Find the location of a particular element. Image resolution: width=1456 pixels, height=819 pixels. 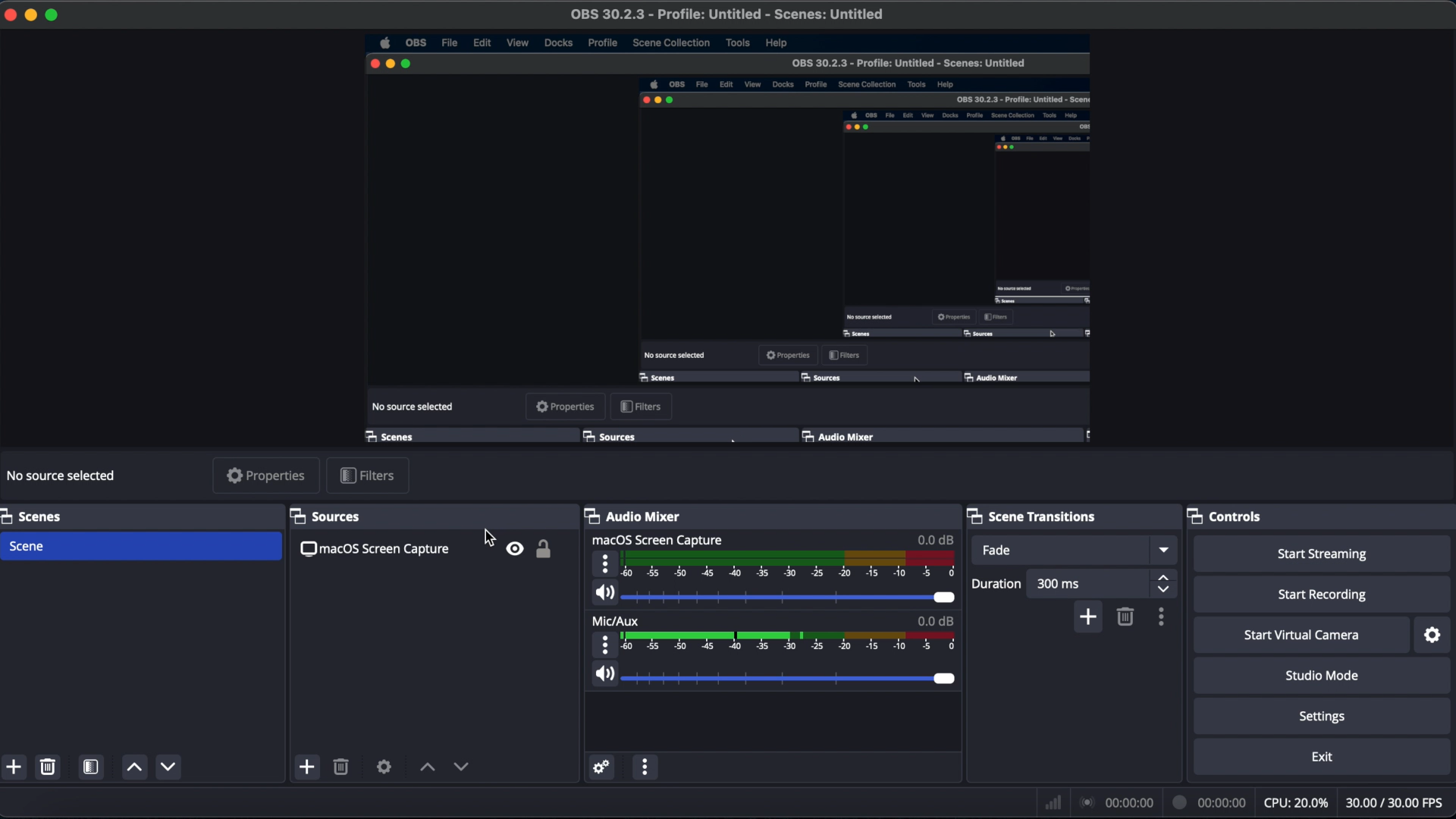

fade drop down menu is located at coordinates (1163, 549).